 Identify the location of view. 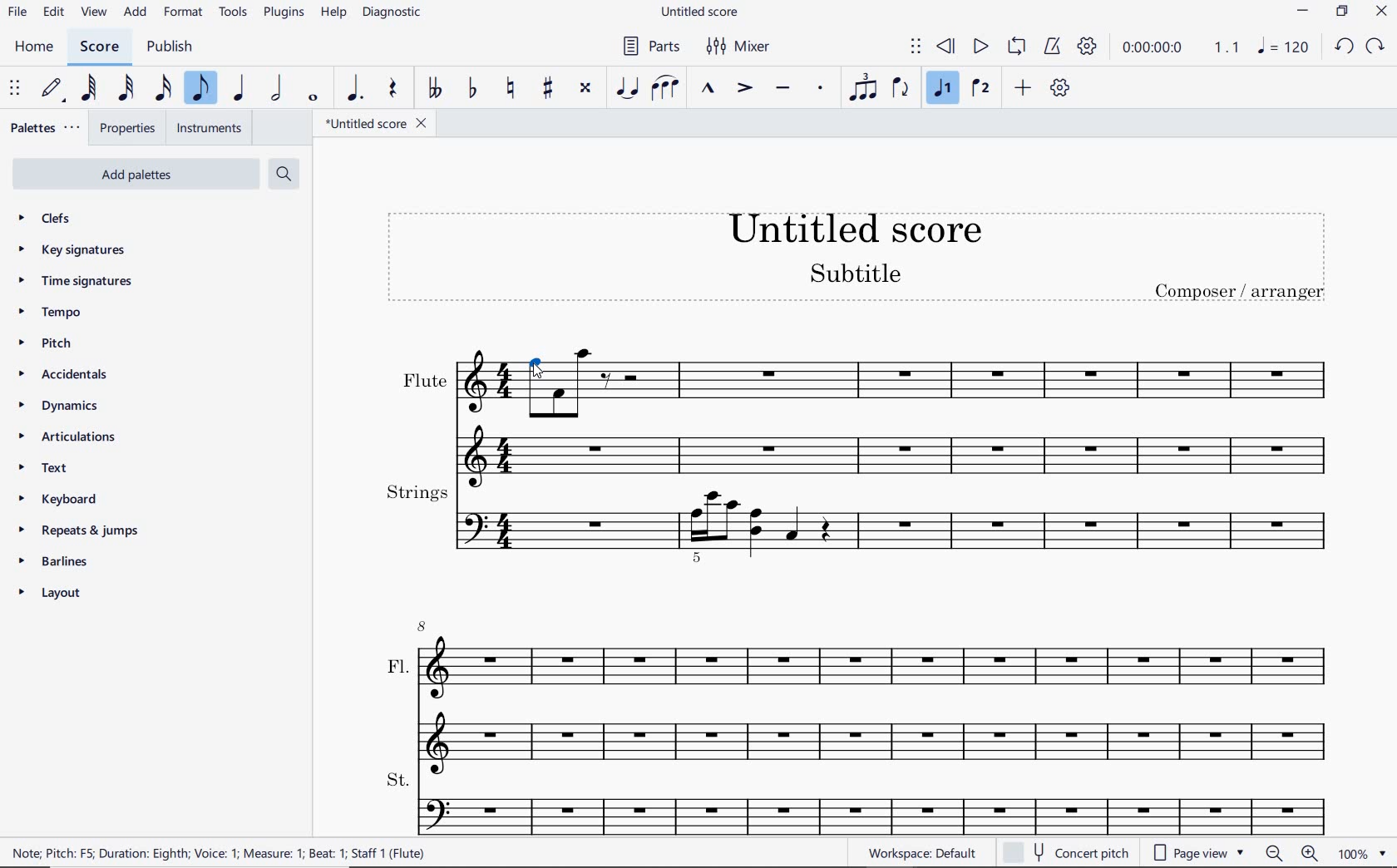
(91, 13).